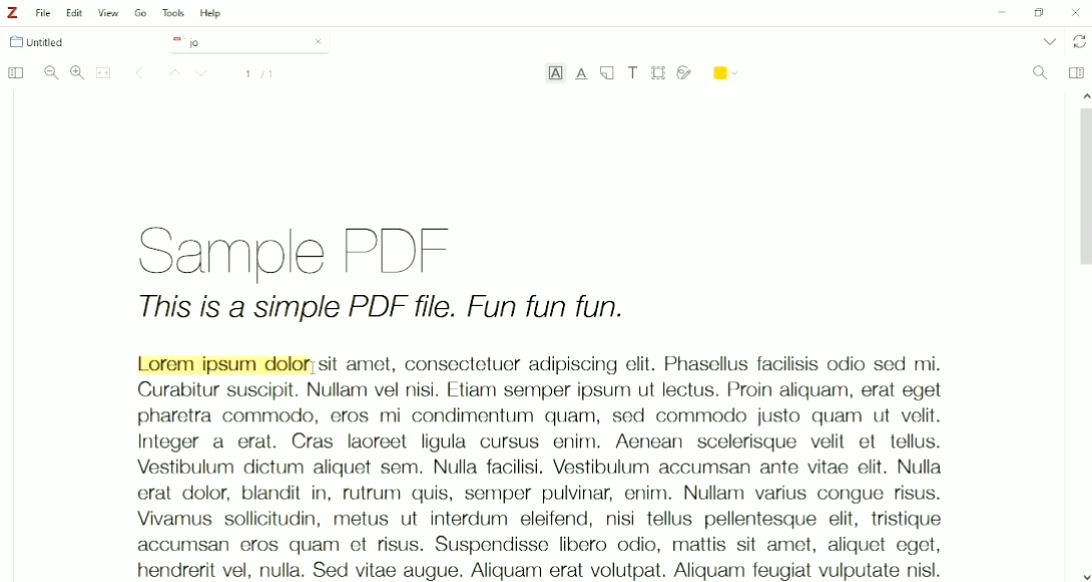 The width and height of the screenshot is (1092, 582). What do you see at coordinates (1080, 42) in the screenshot?
I see `Sync` at bounding box center [1080, 42].